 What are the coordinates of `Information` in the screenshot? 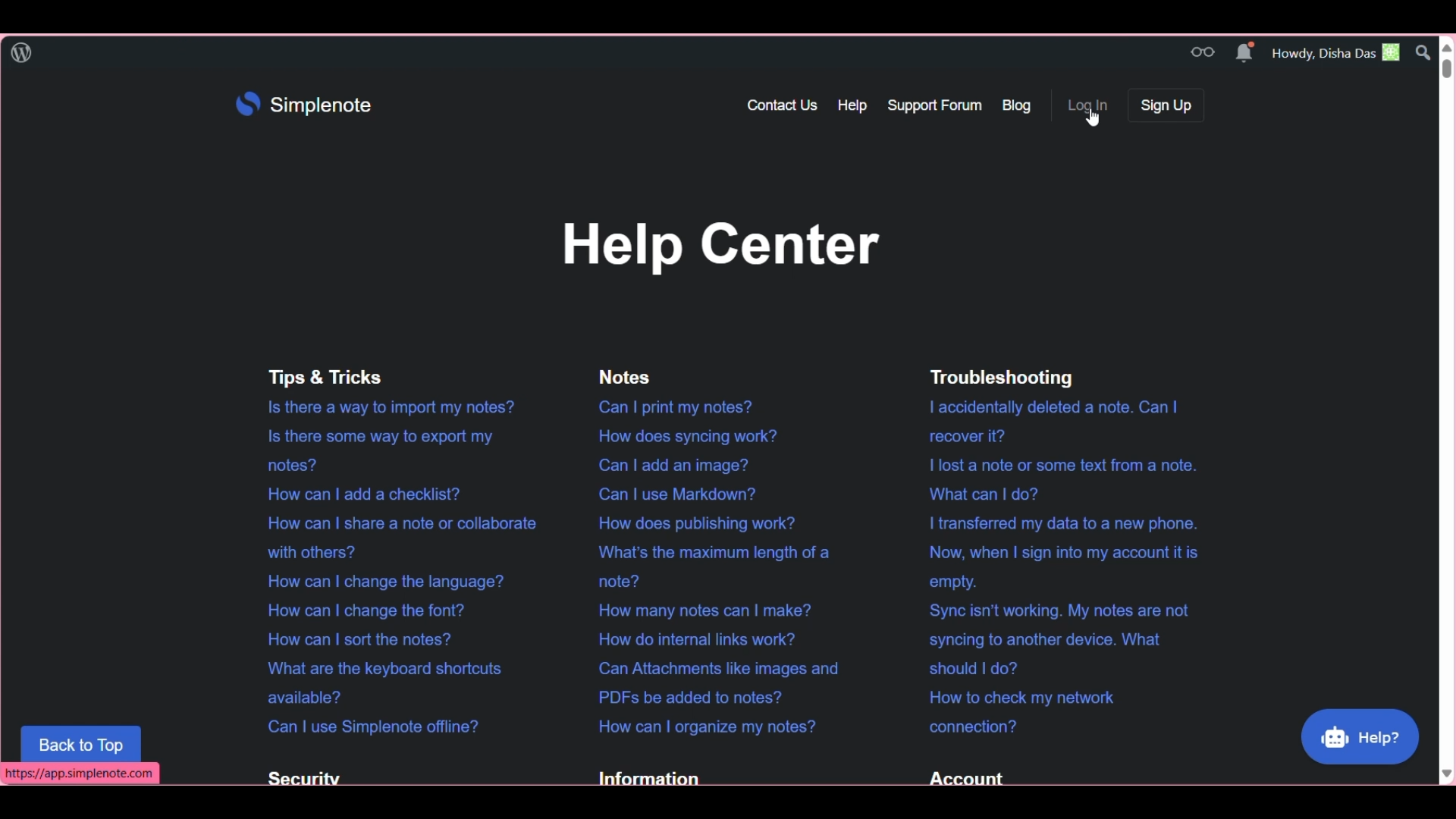 It's located at (645, 779).